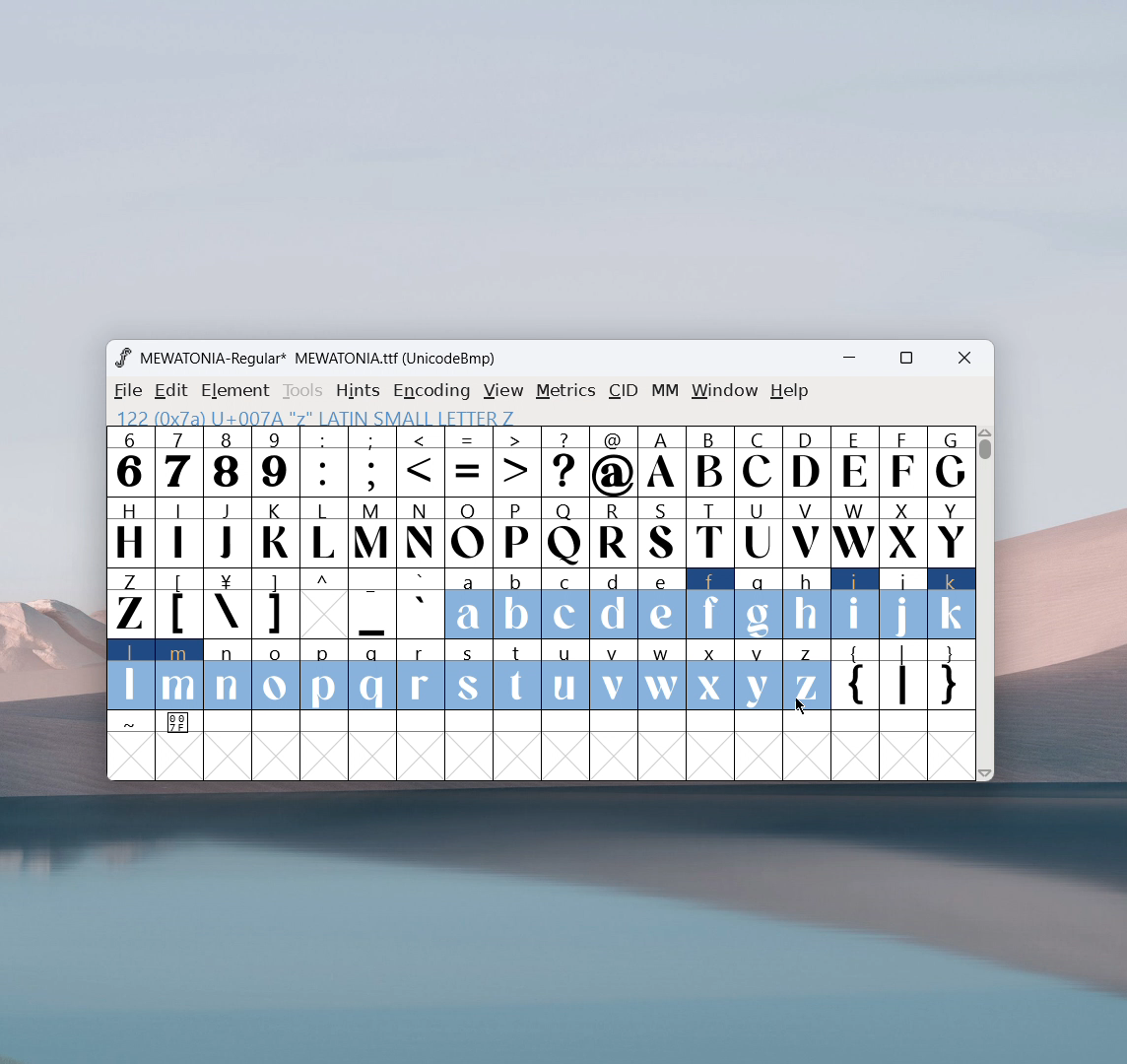 The height and width of the screenshot is (1064, 1127). What do you see at coordinates (564, 534) in the screenshot?
I see `Q` at bounding box center [564, 534].